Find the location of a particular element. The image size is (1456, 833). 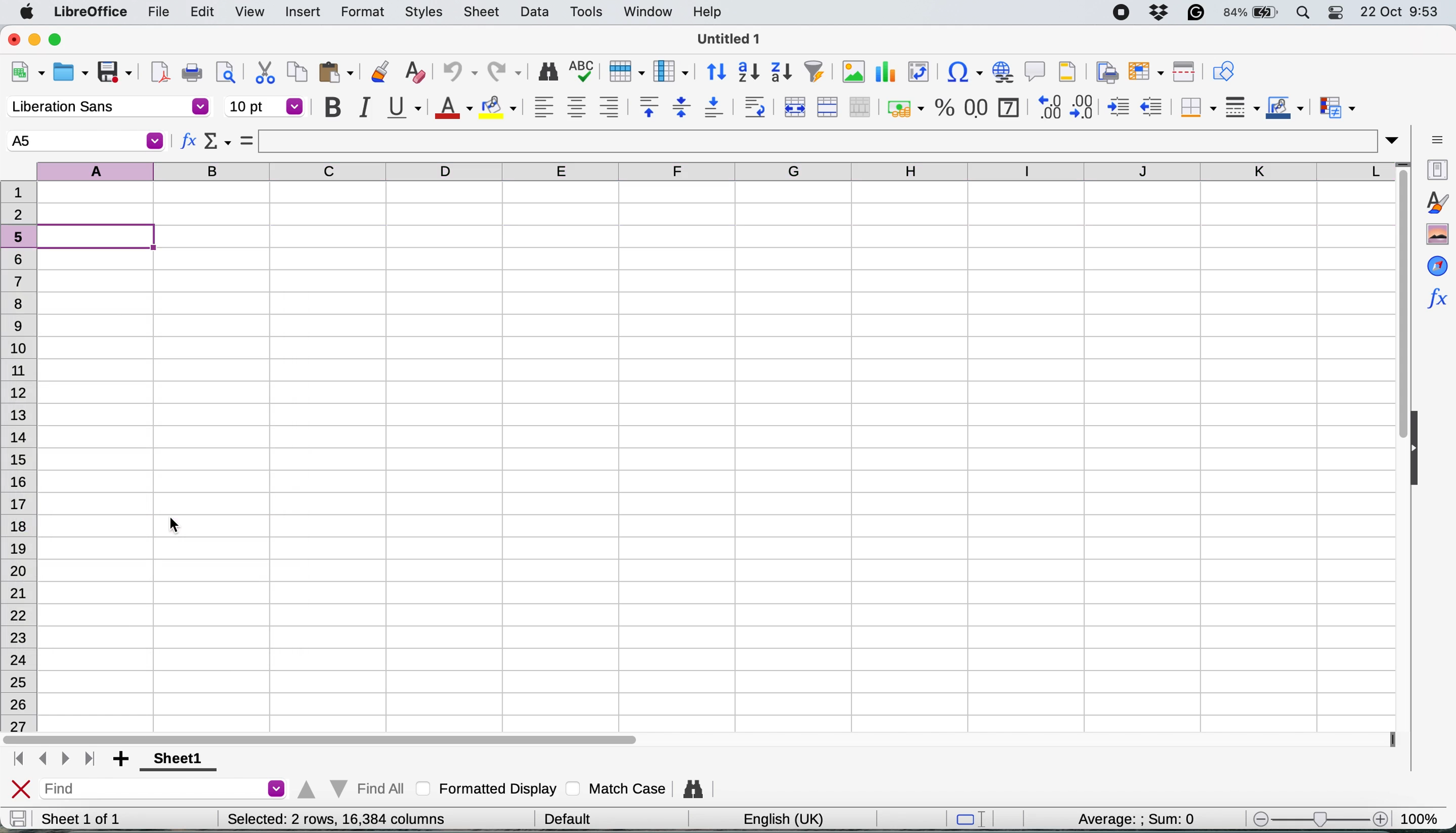

insert chart is located at coordinates (884, 74).